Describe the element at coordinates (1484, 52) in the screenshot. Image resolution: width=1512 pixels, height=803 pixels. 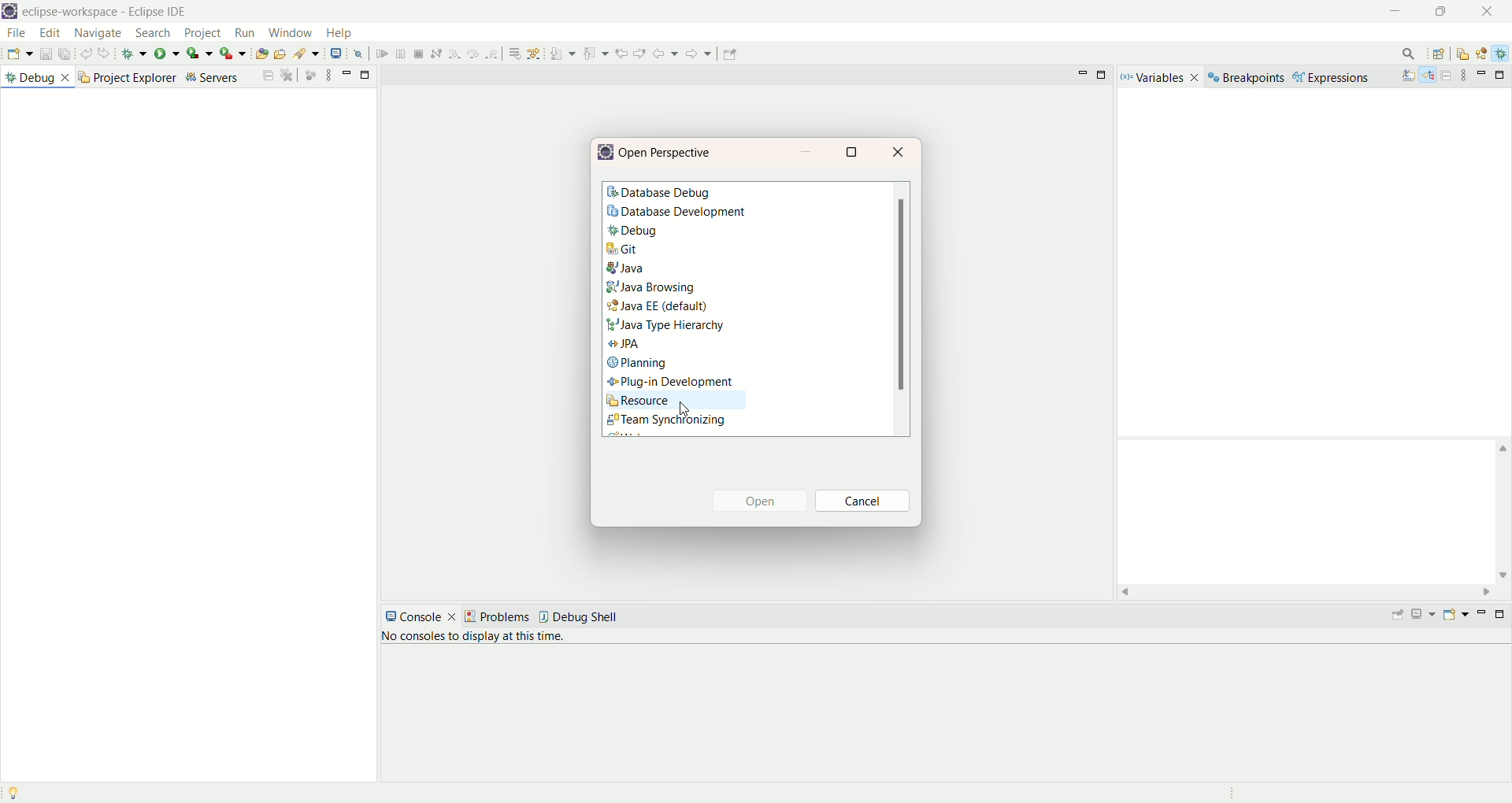
I see `java EE` at that location.